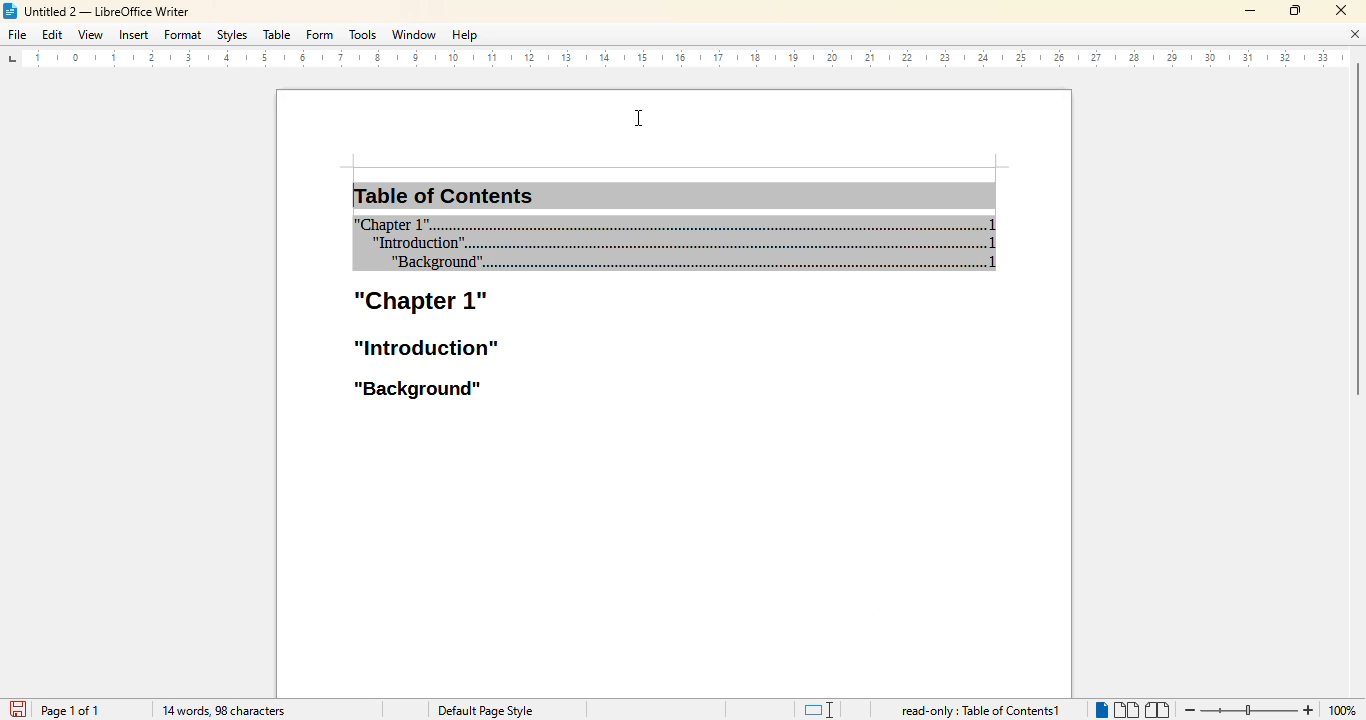 This screenshot has width=1366, height=720. What do you see at coordinates (90, 35) in the screenshot?
I see `view` at bounding box center [90, 35].